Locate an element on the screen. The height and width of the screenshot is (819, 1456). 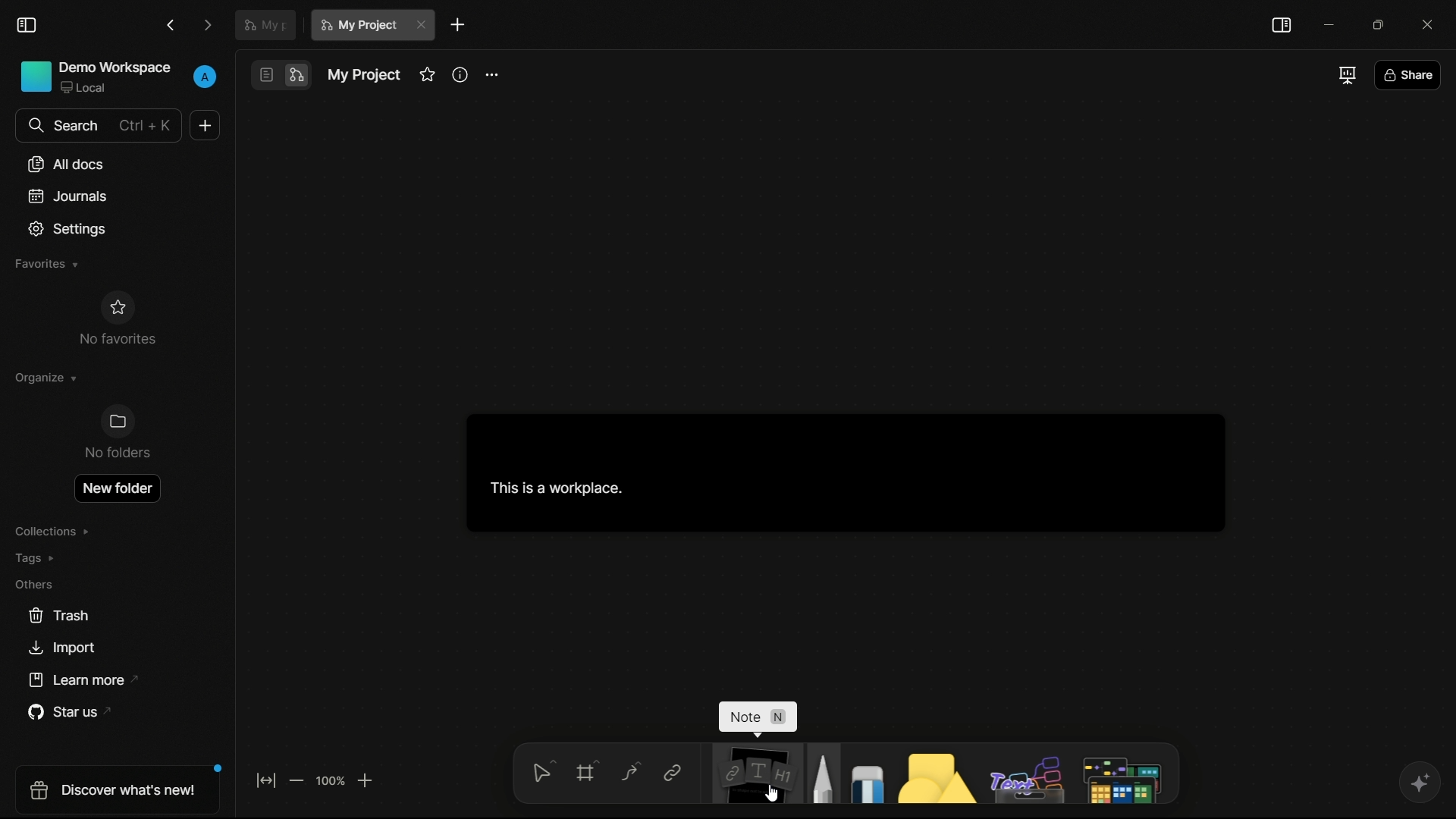
zoom factor is located at coordinates (330, 782).